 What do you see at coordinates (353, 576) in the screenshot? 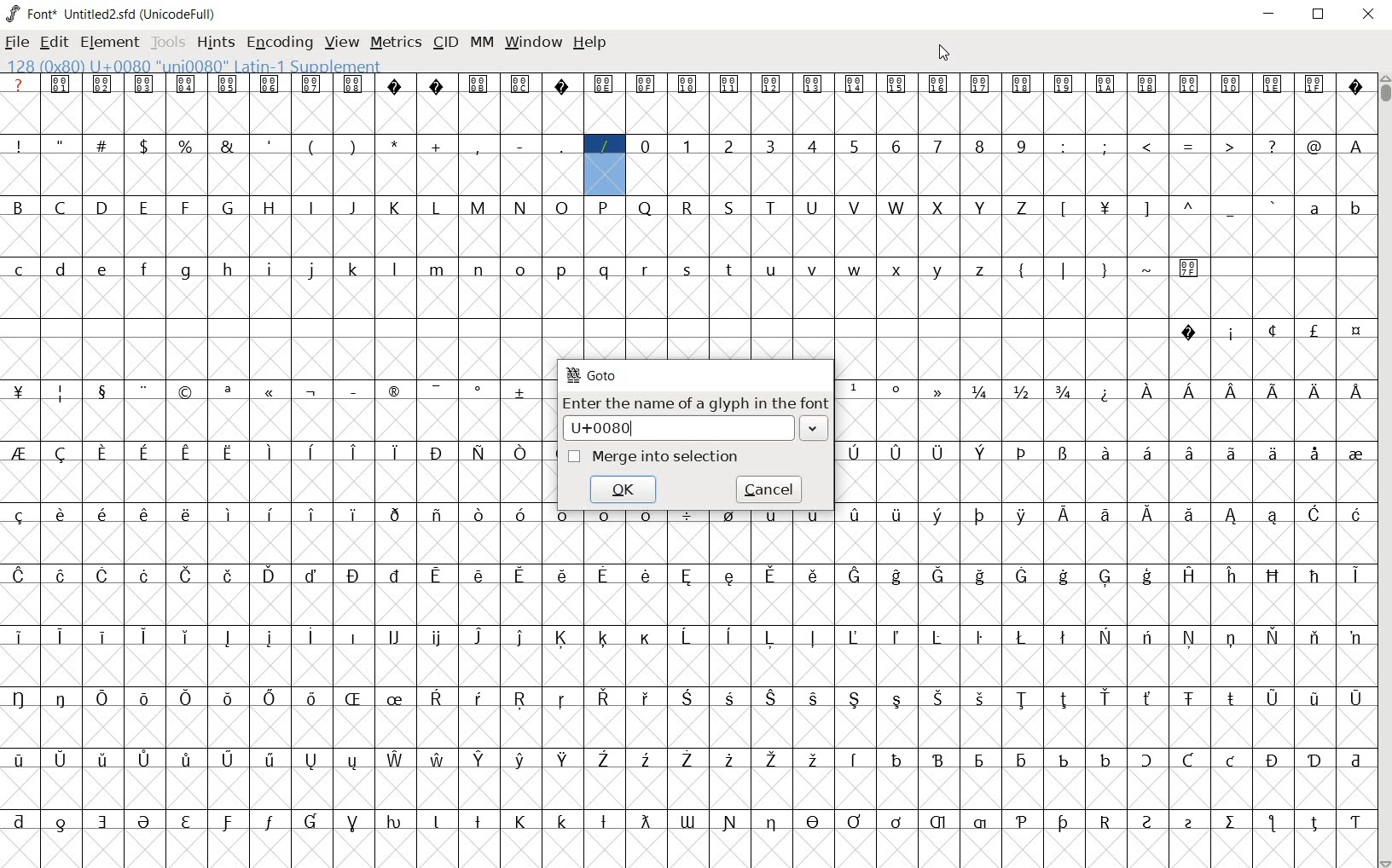
I see `glyph` at bounding box center [353, 576].